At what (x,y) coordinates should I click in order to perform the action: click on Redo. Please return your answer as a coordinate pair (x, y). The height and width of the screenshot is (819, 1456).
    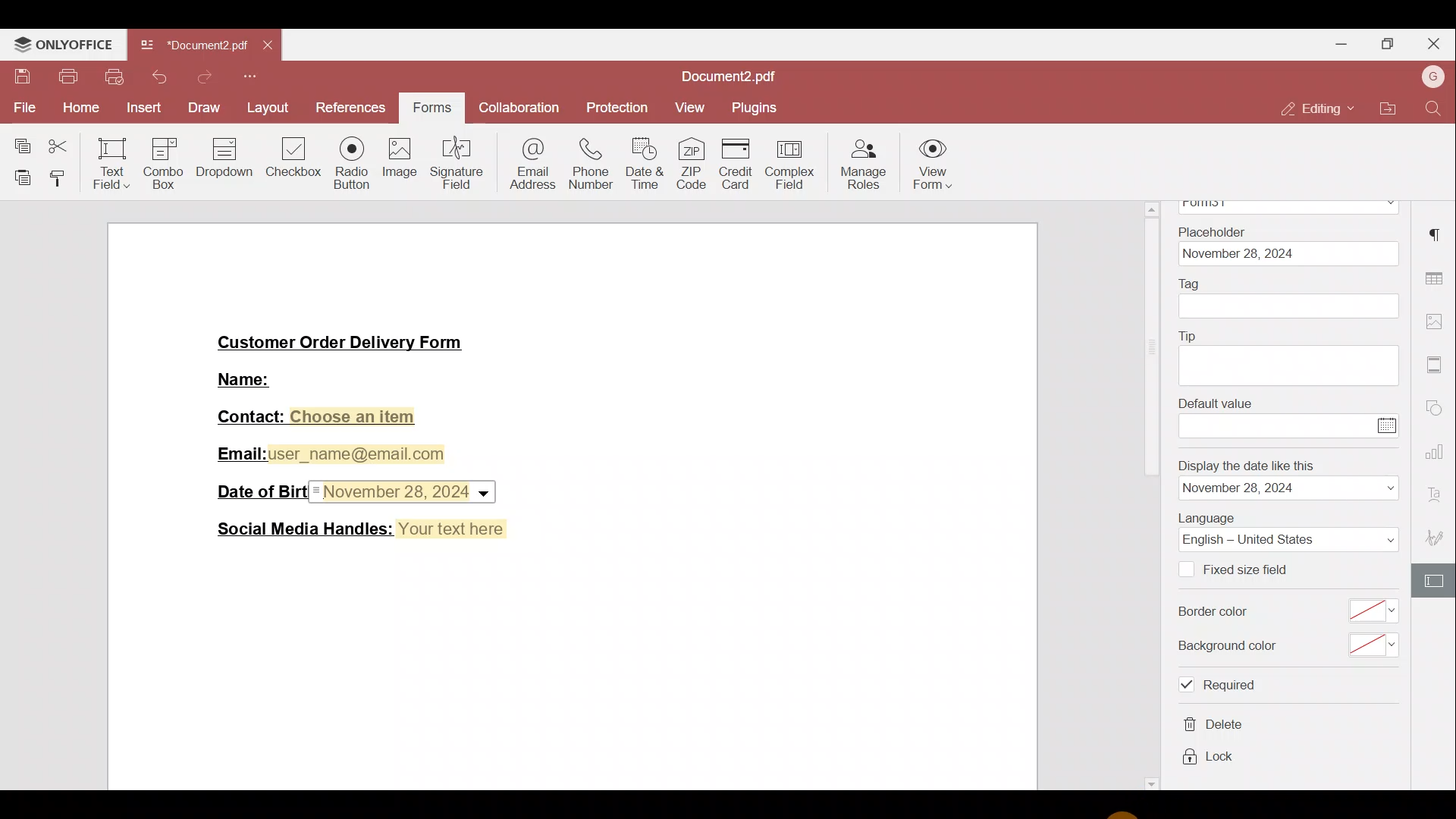
    Looking at the image, I should click on (199, 81).